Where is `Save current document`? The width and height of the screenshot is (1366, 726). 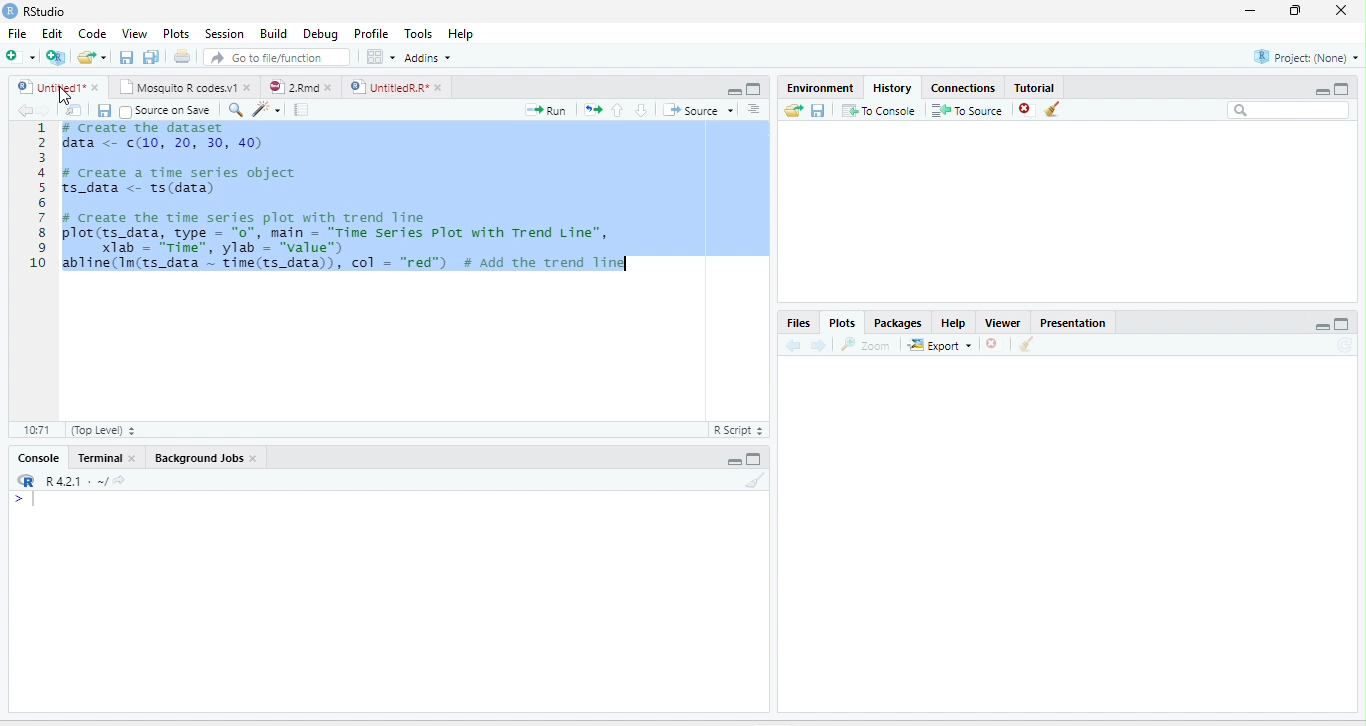 Save current document is located at coordinates (126, 56).